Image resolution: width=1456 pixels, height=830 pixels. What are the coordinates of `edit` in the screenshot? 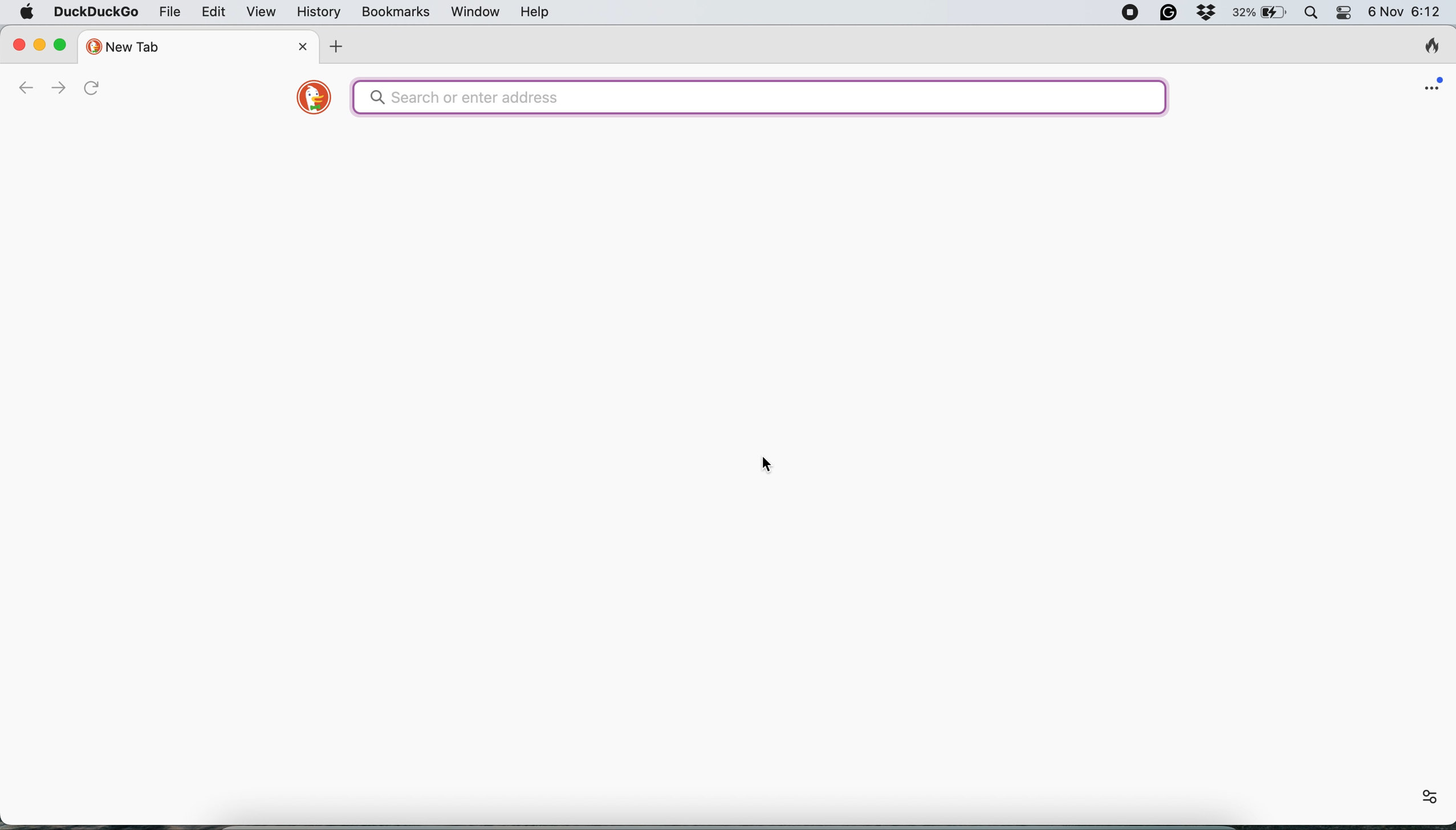 It's located at (215, 11).